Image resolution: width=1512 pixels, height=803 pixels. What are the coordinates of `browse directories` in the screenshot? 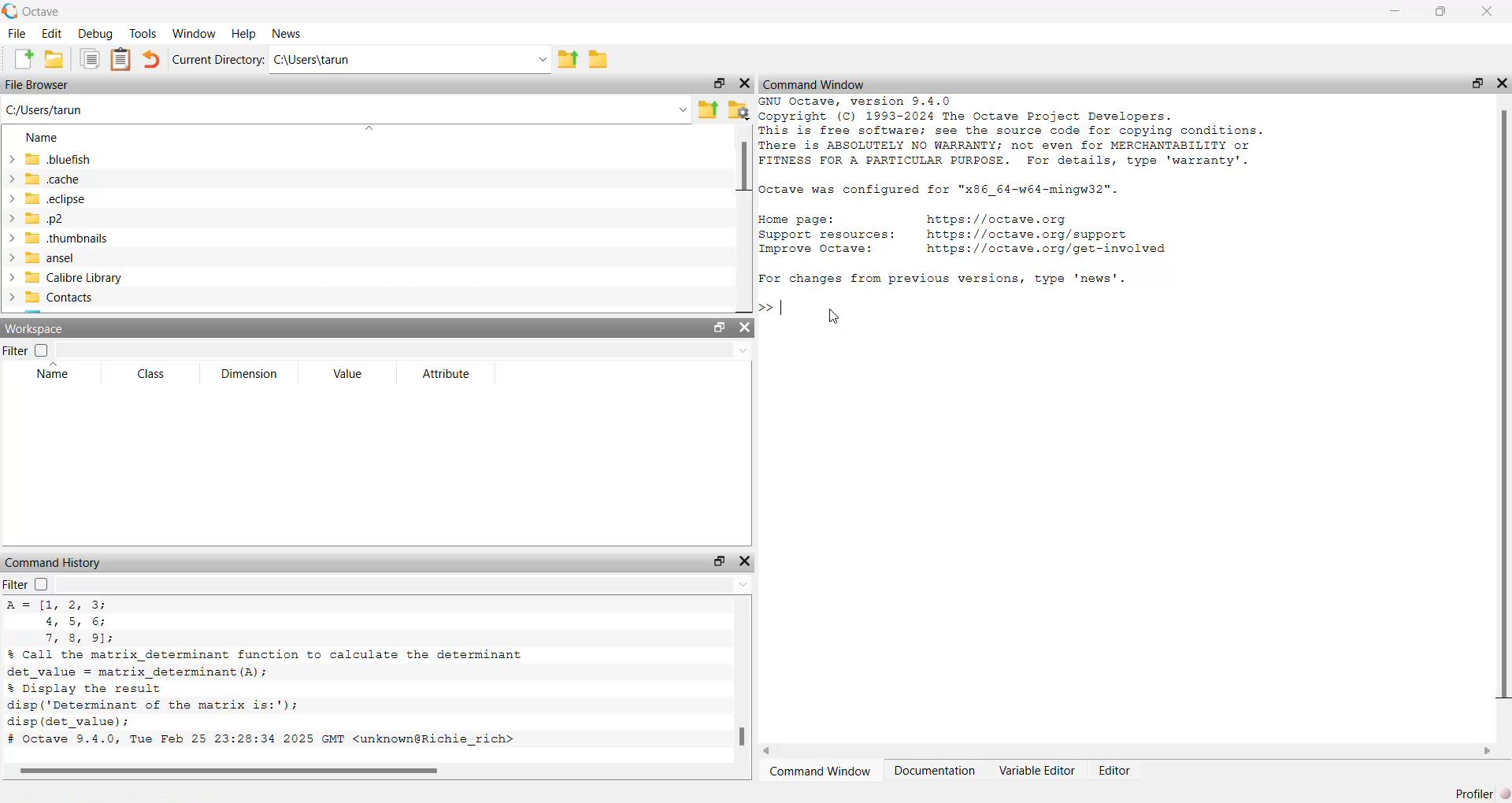 It's located at (738, 111).